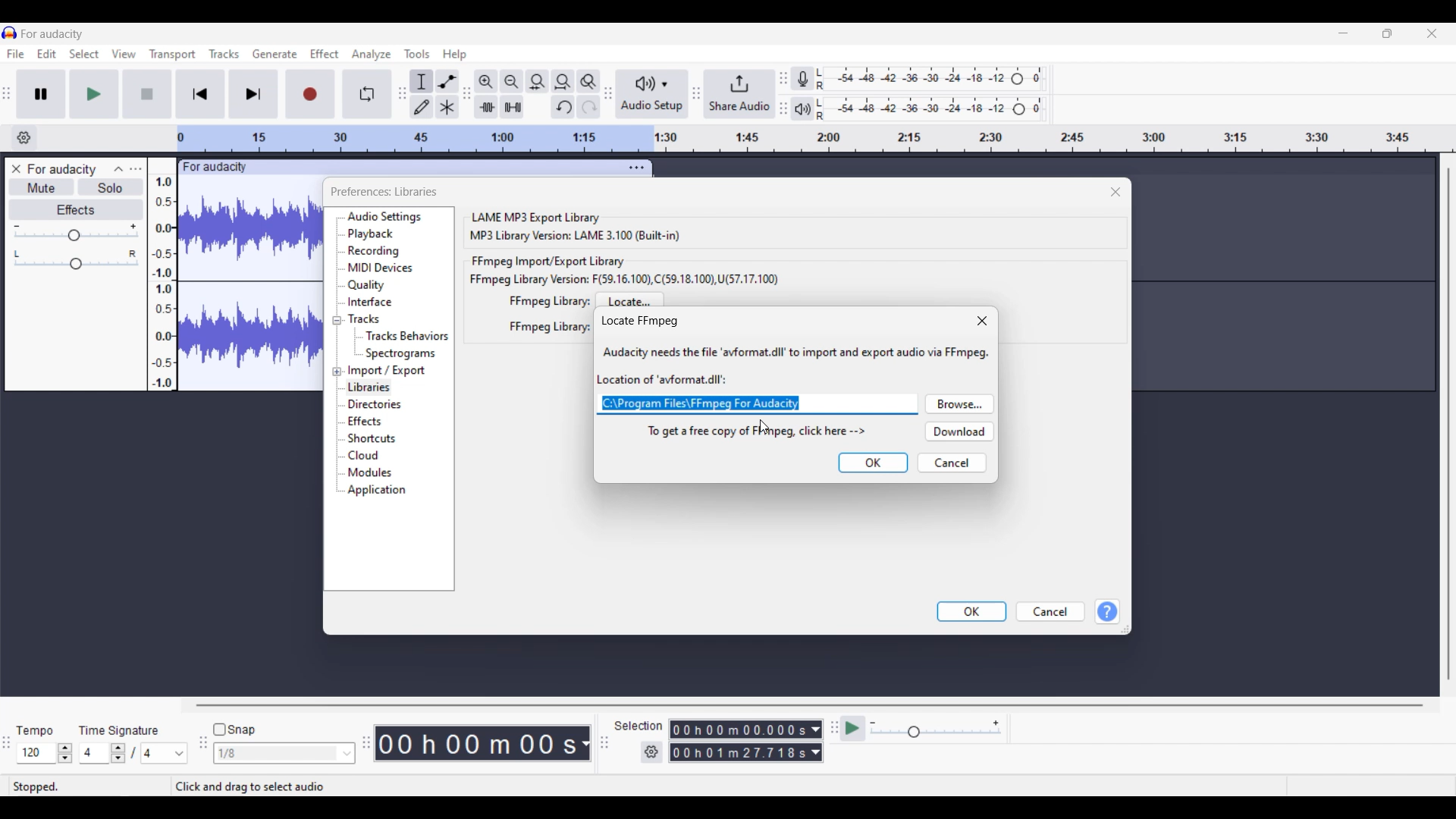  Describe the element at coordinates (123, 53) in the screenshot. I see `View menu` at that location.